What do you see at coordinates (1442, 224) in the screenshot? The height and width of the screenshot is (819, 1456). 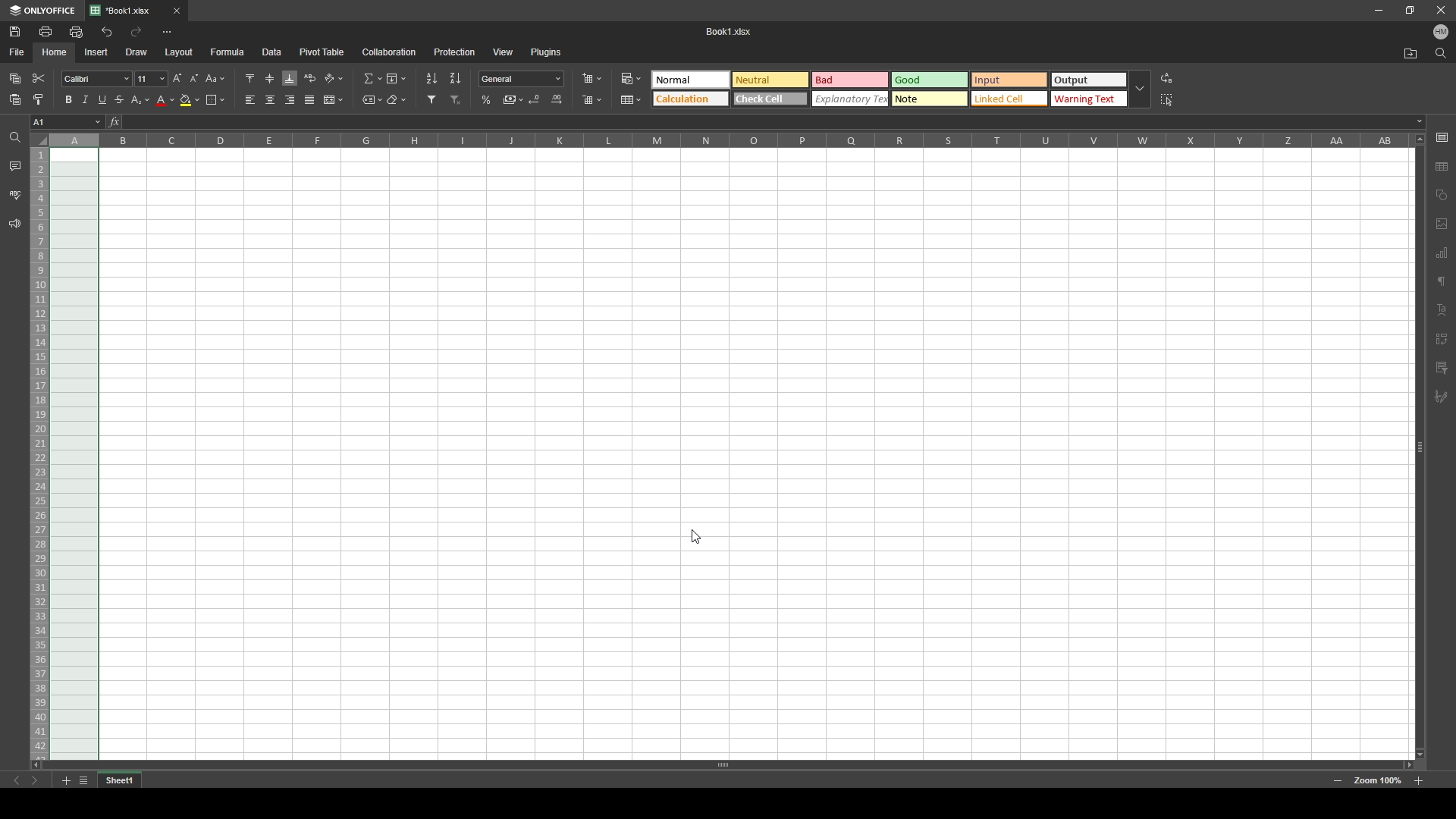 I see `image` at bounding box center [1442, 224].